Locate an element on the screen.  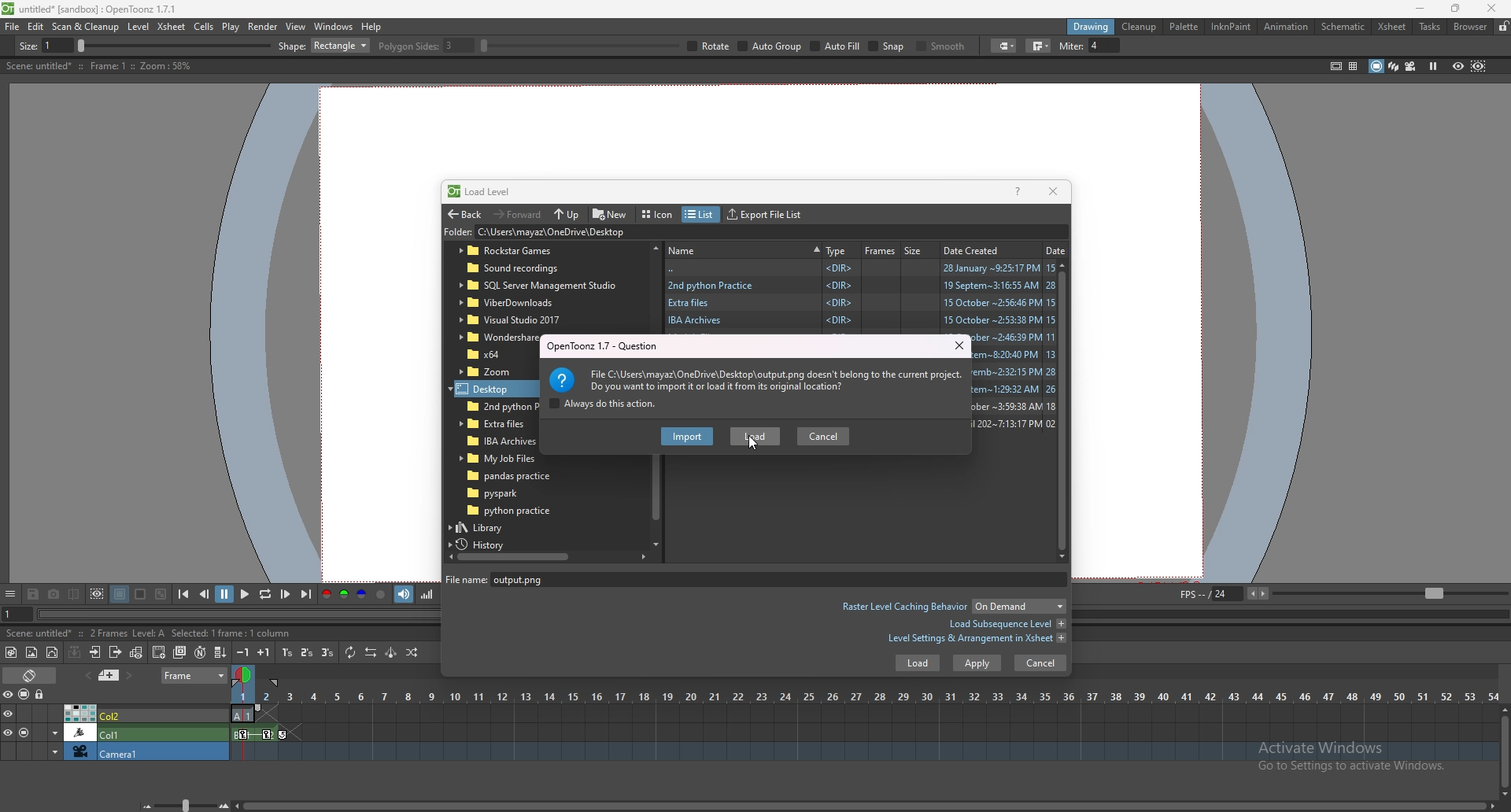
red channel is located at coordinates (325, 596).